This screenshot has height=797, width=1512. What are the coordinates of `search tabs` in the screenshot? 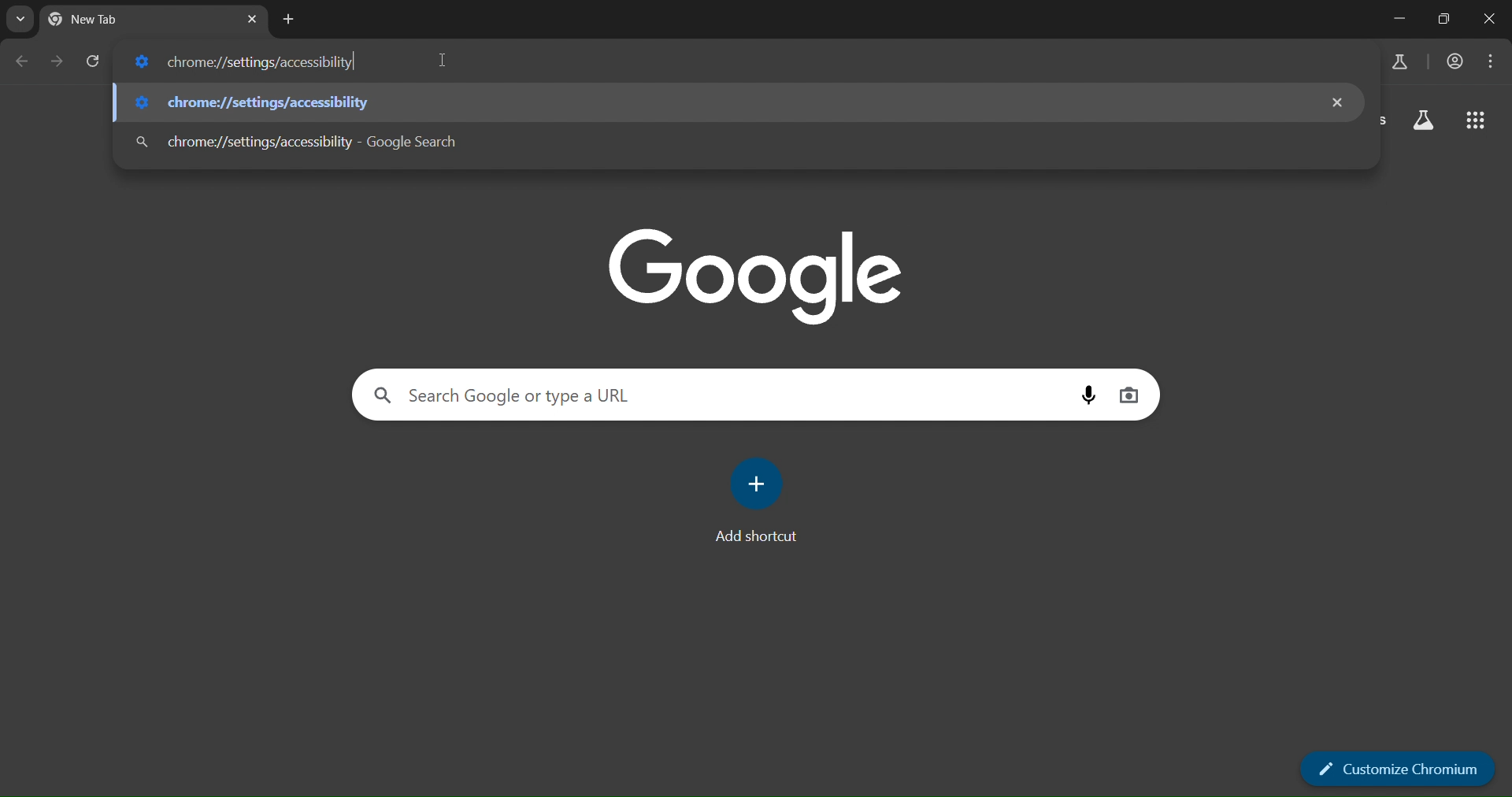 It's located at (20, 18).